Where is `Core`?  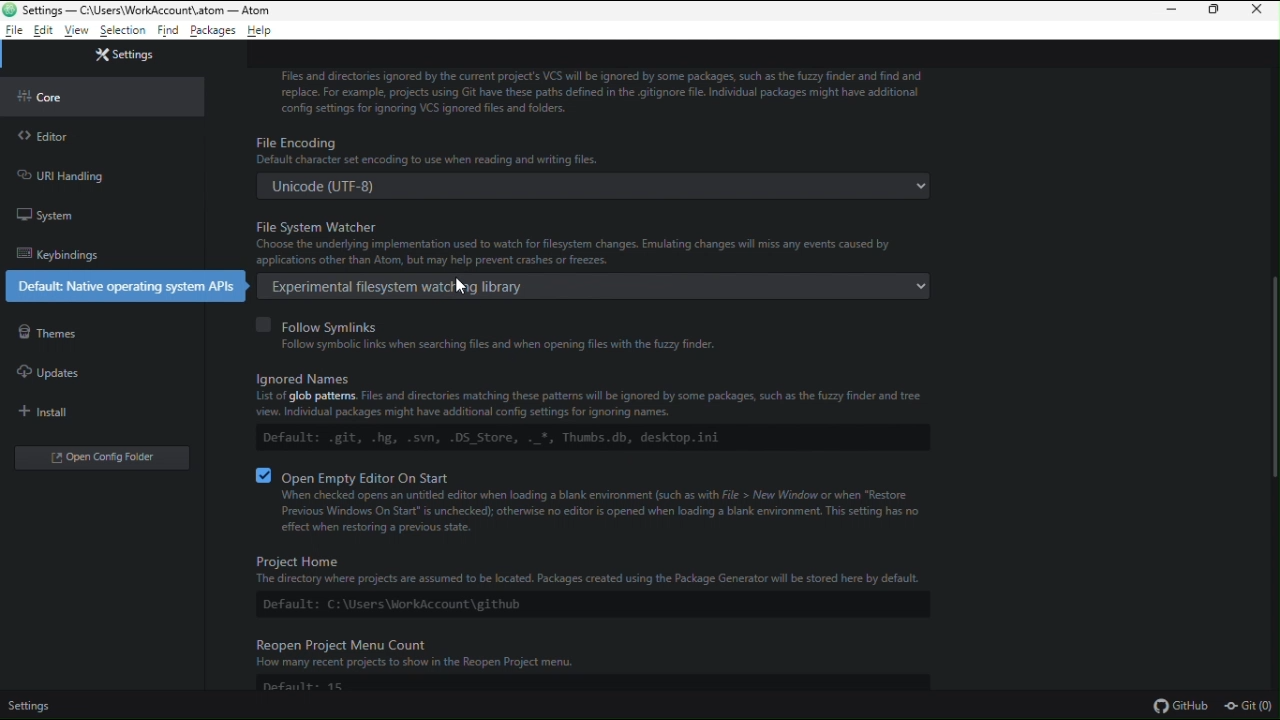
Core is located at coordinates (47, 96).